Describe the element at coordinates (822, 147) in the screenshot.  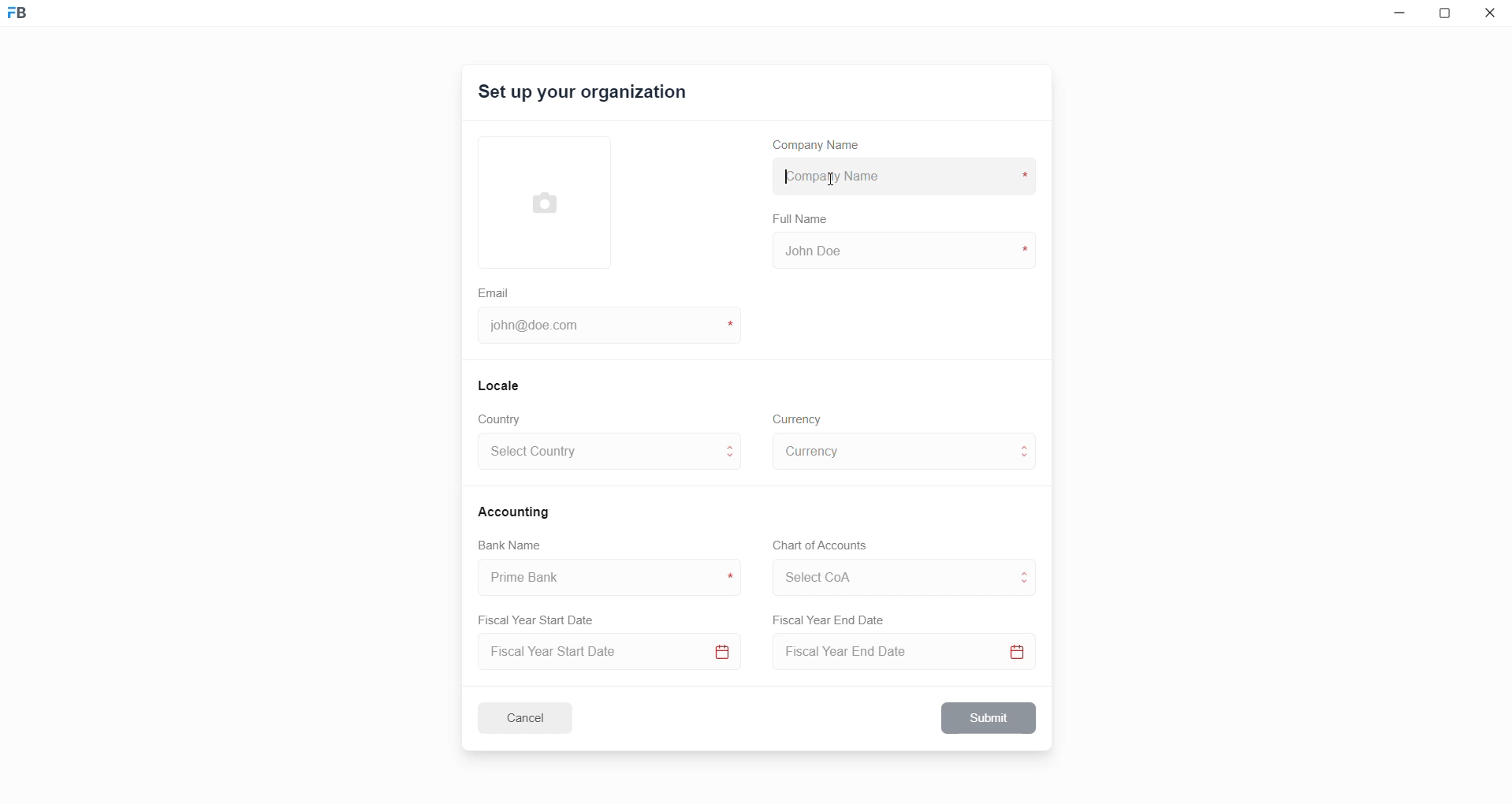
I see `Company Name` at that location.